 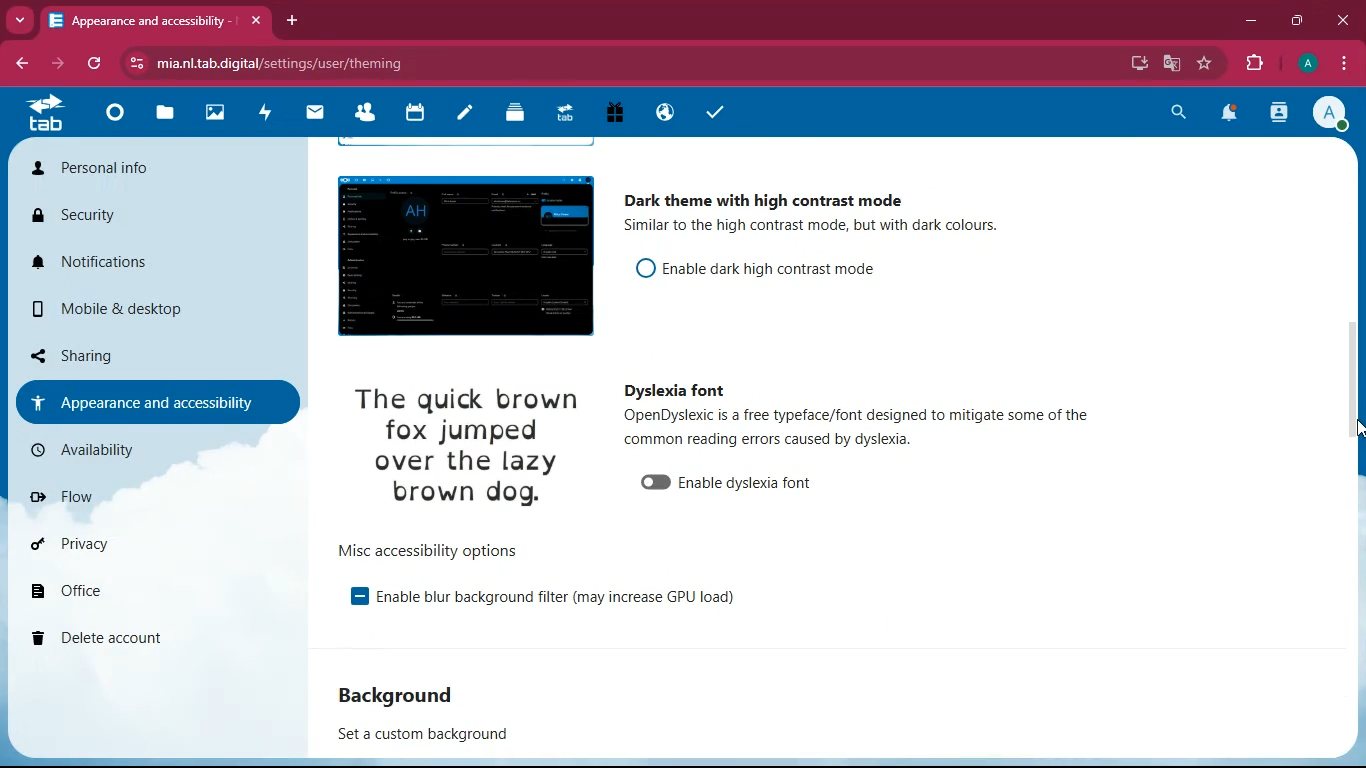 What do you see at coordinates (1248, 20) in the screenshot?
I see `minimize` at bounding box center [1248, 20].